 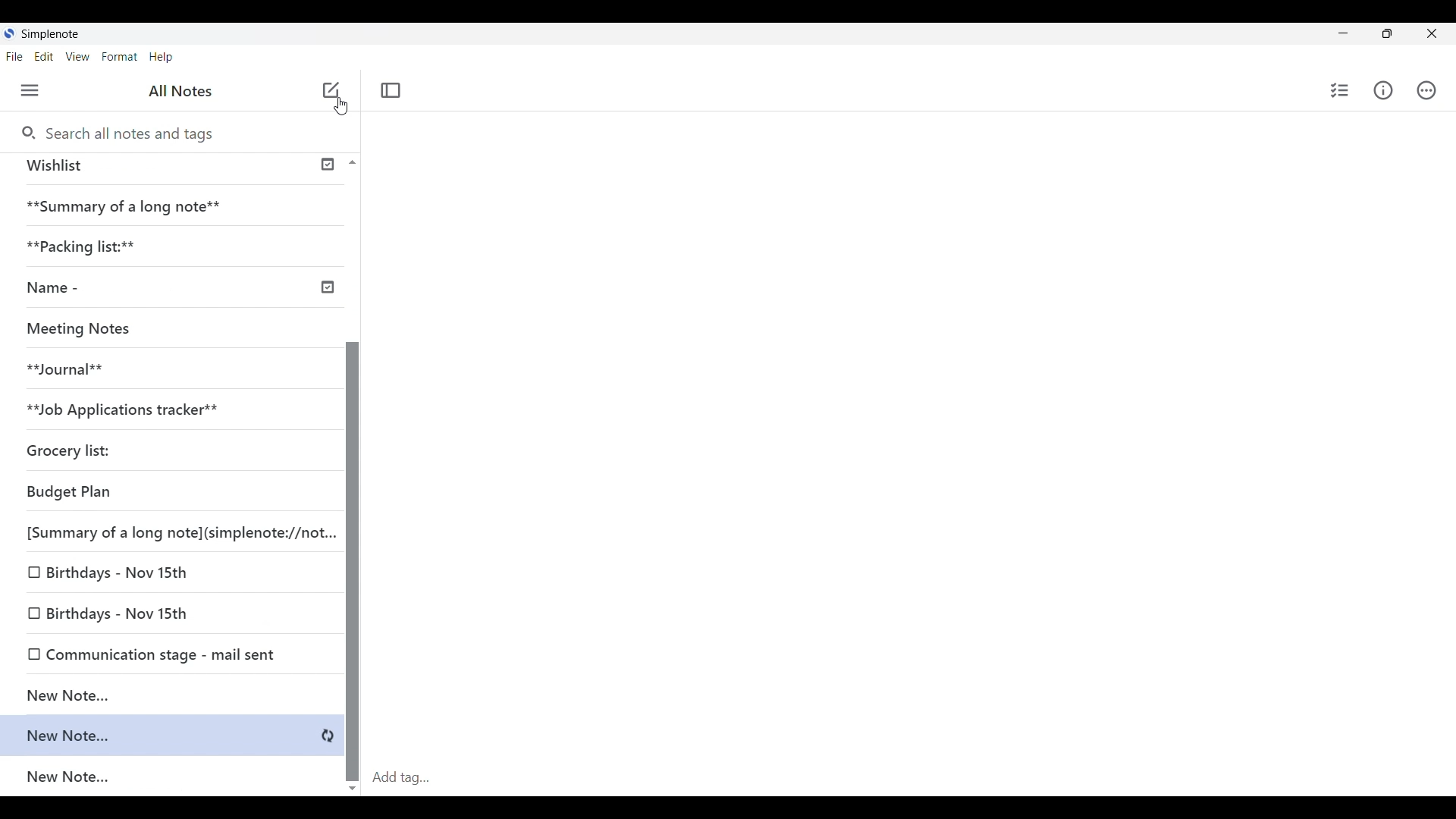 I want to click on Search all notes and tags, so click(x=124, y=129).